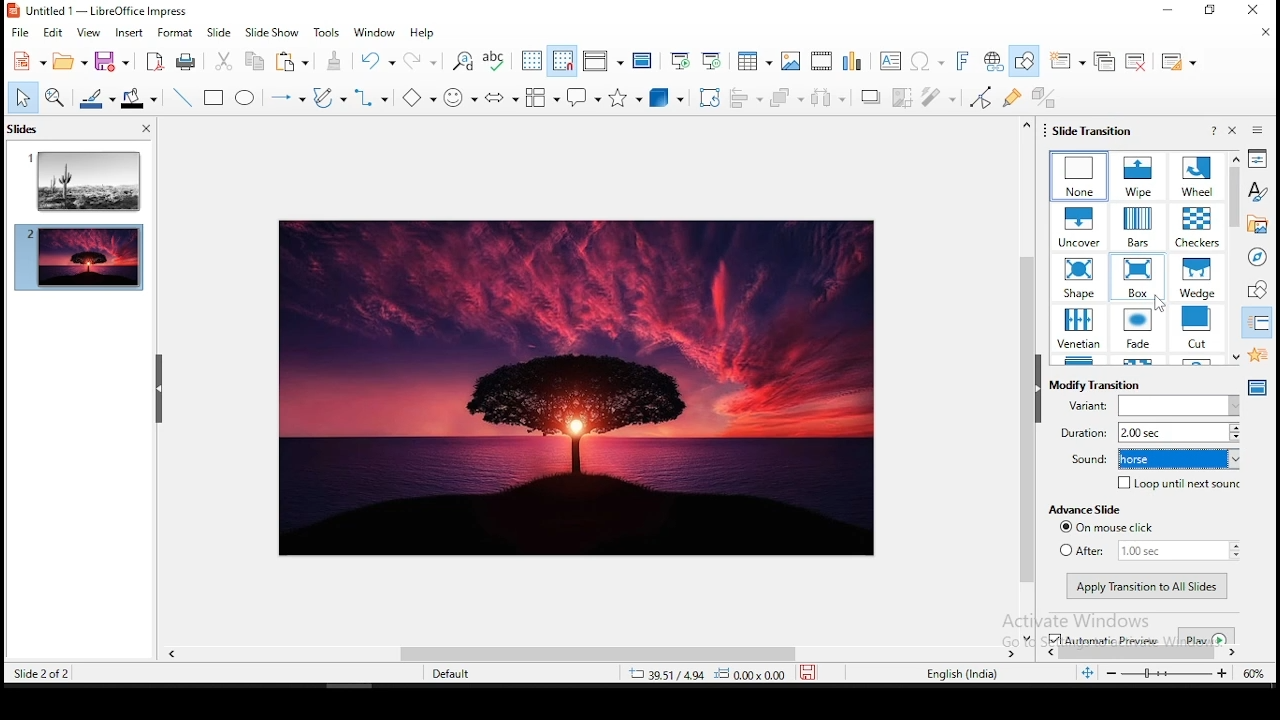 Image resolution: width=1280 pixels, height=720 pixels. I want to click on transition effects, so click(1199, 175).